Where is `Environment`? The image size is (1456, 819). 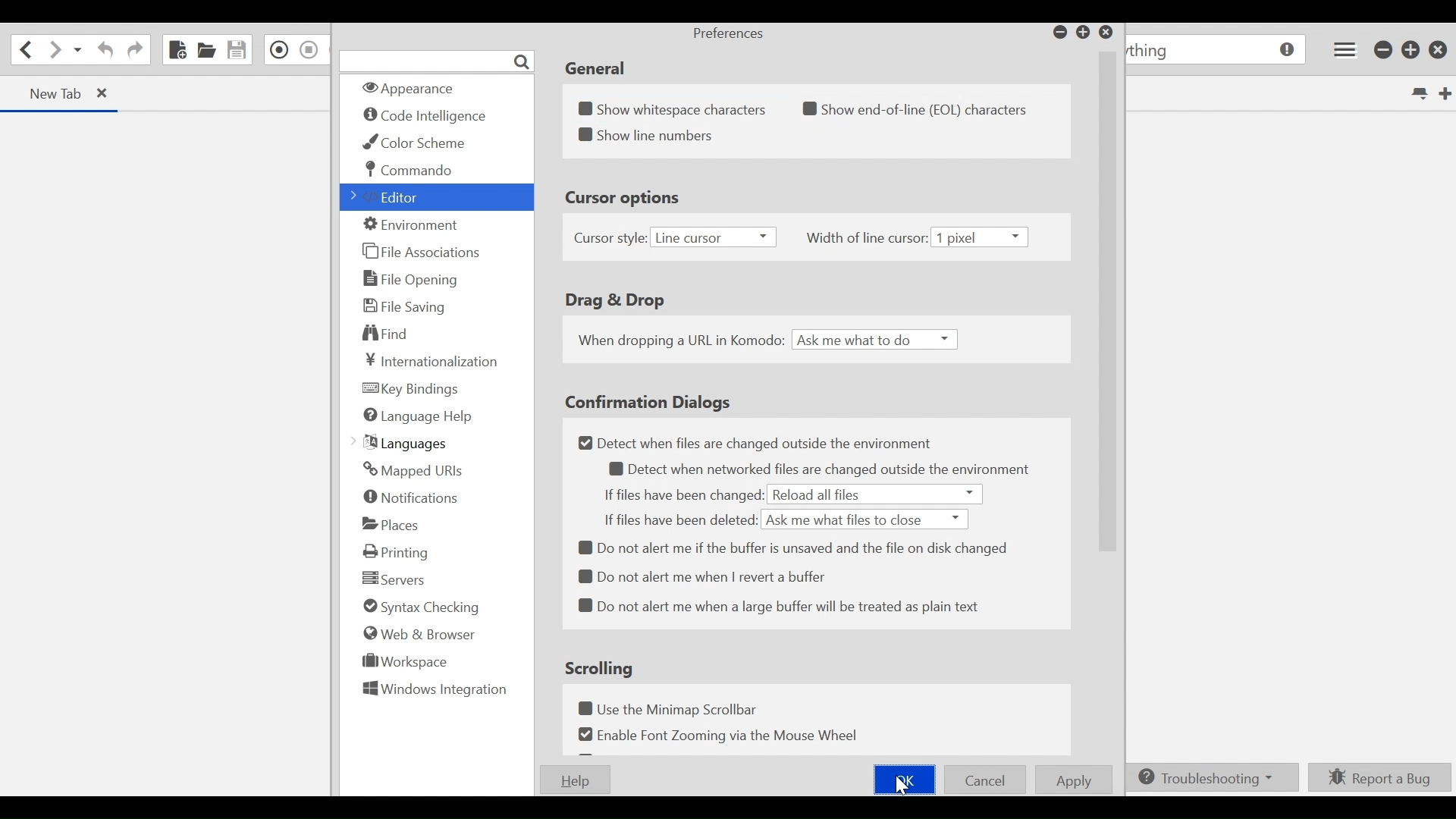 Environment is located at coordinates (415, 225).